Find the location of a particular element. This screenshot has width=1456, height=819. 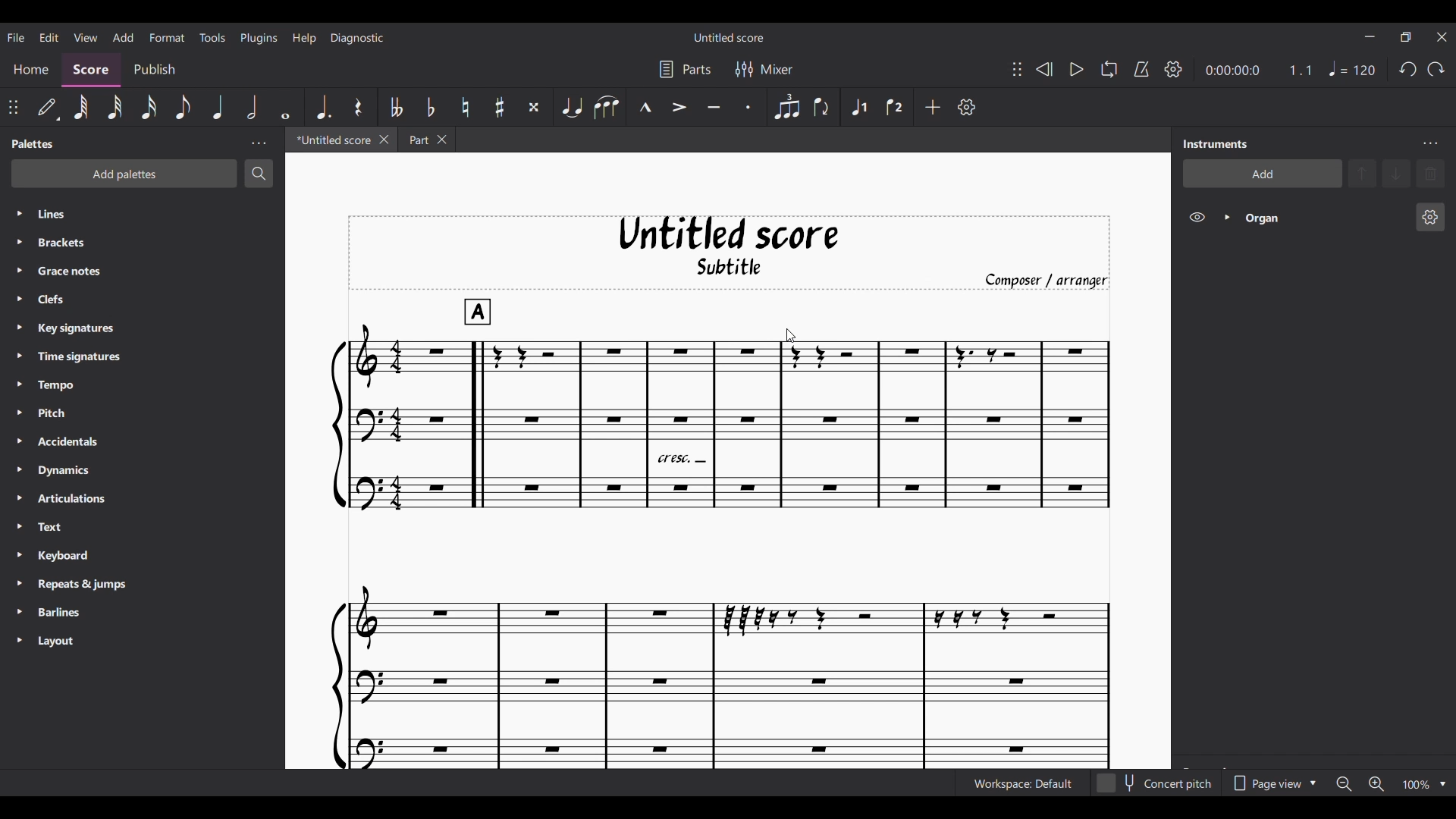

Add palette is located at coordinates (124, 174).